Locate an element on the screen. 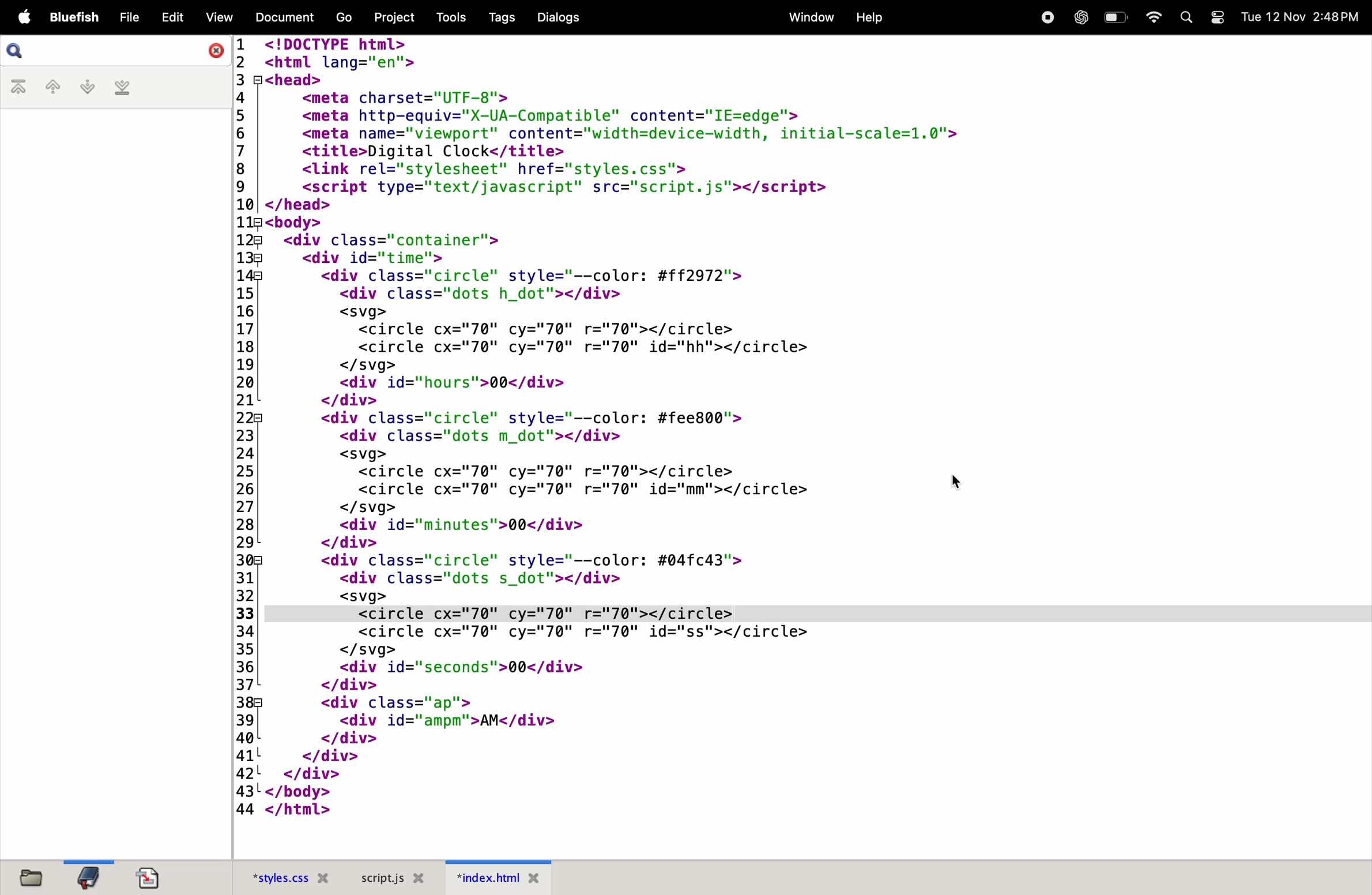 The width and height of the screenshot is (1372, 895). edit is located at coordinates (172, 16).